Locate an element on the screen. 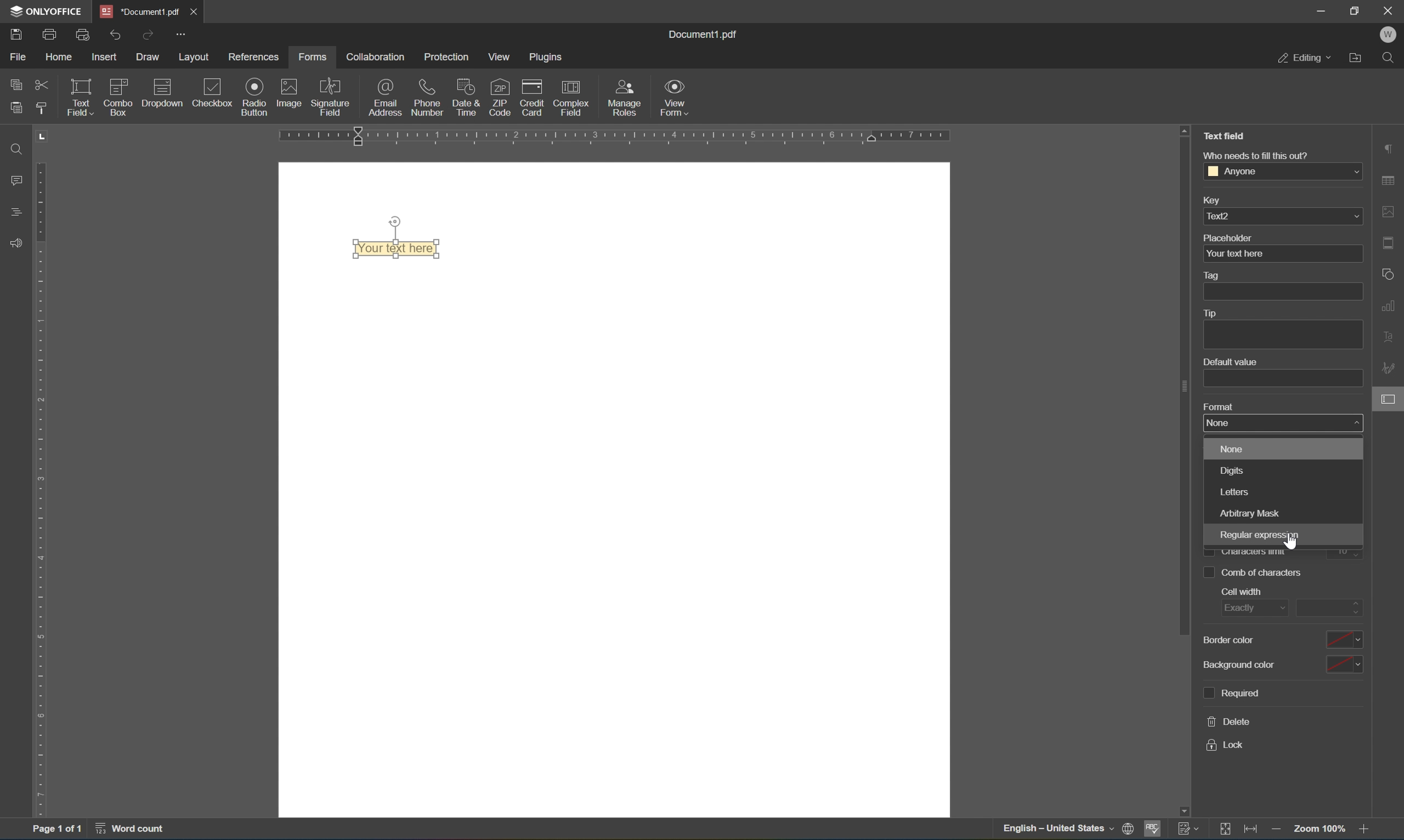 The width and height of the screenshot is (1404, 840). protection is located at coordinates (448, 57).